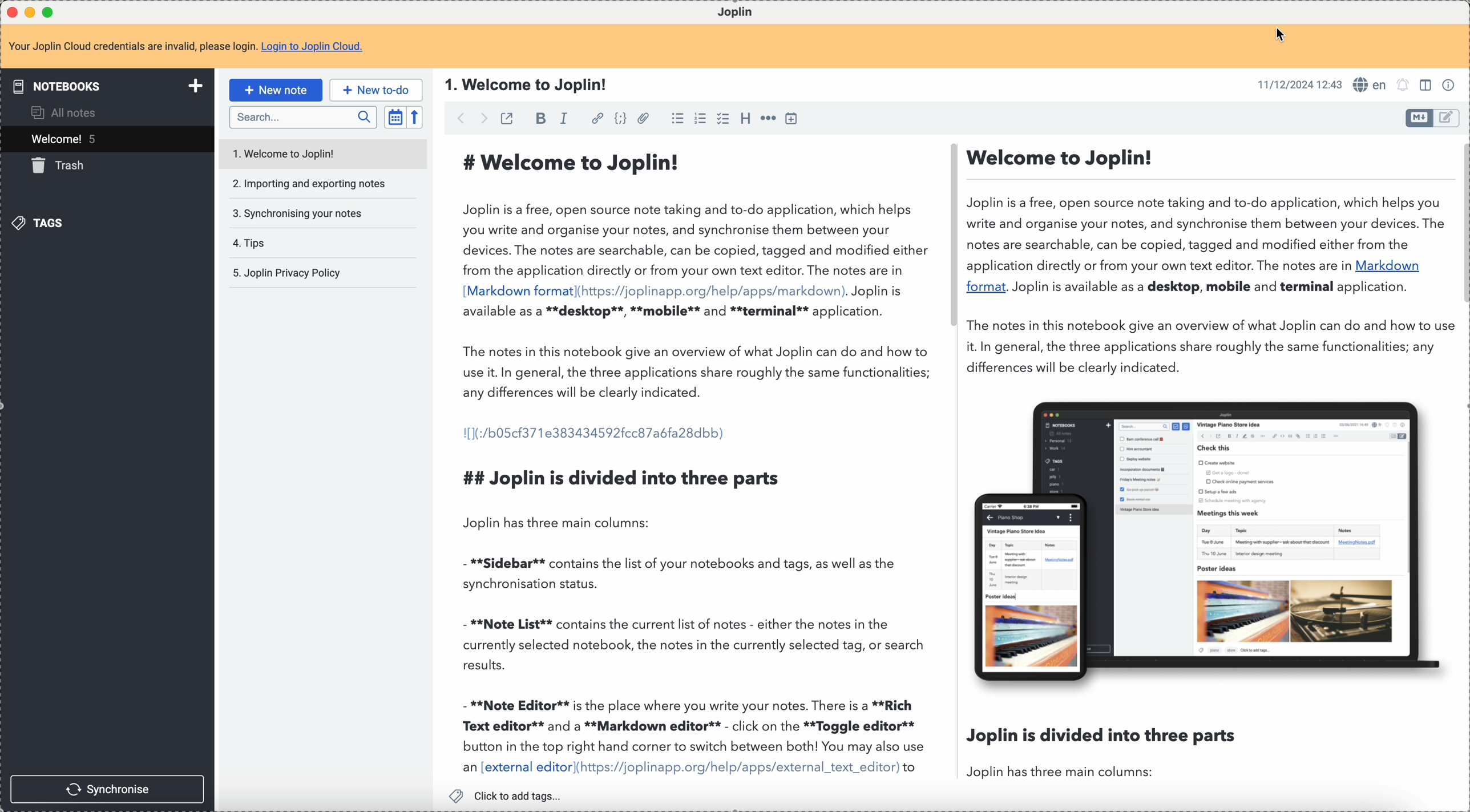 Image resolution: width=1470 pixels, height=812 pixels. Describe the element at coordinates (286, 274) in the screenshot. I see `Joplin privacy policy` at that location.